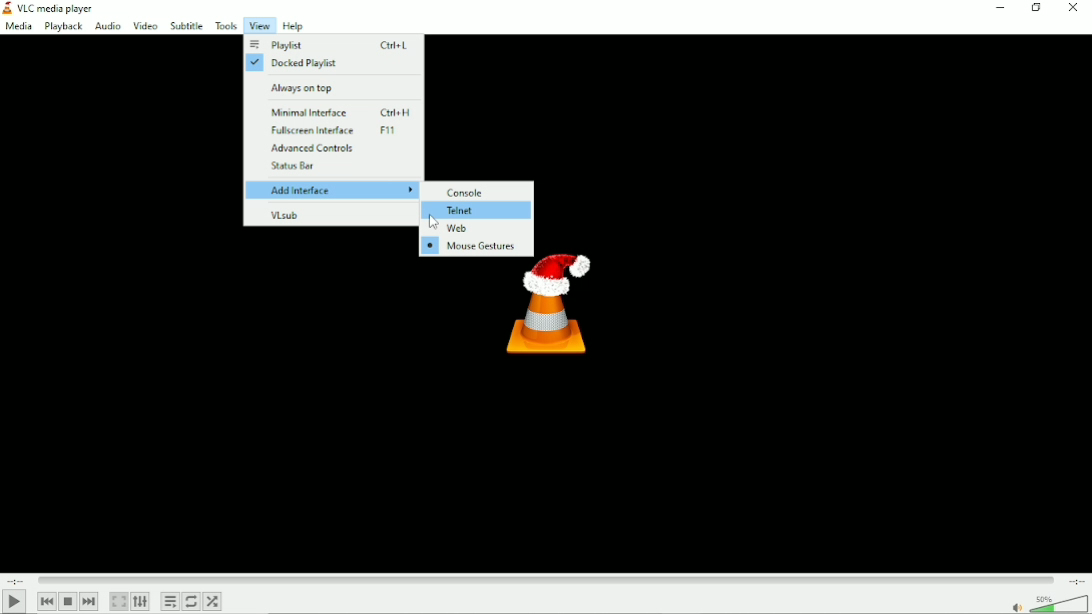  I want to click on Help, so click(293, 26).